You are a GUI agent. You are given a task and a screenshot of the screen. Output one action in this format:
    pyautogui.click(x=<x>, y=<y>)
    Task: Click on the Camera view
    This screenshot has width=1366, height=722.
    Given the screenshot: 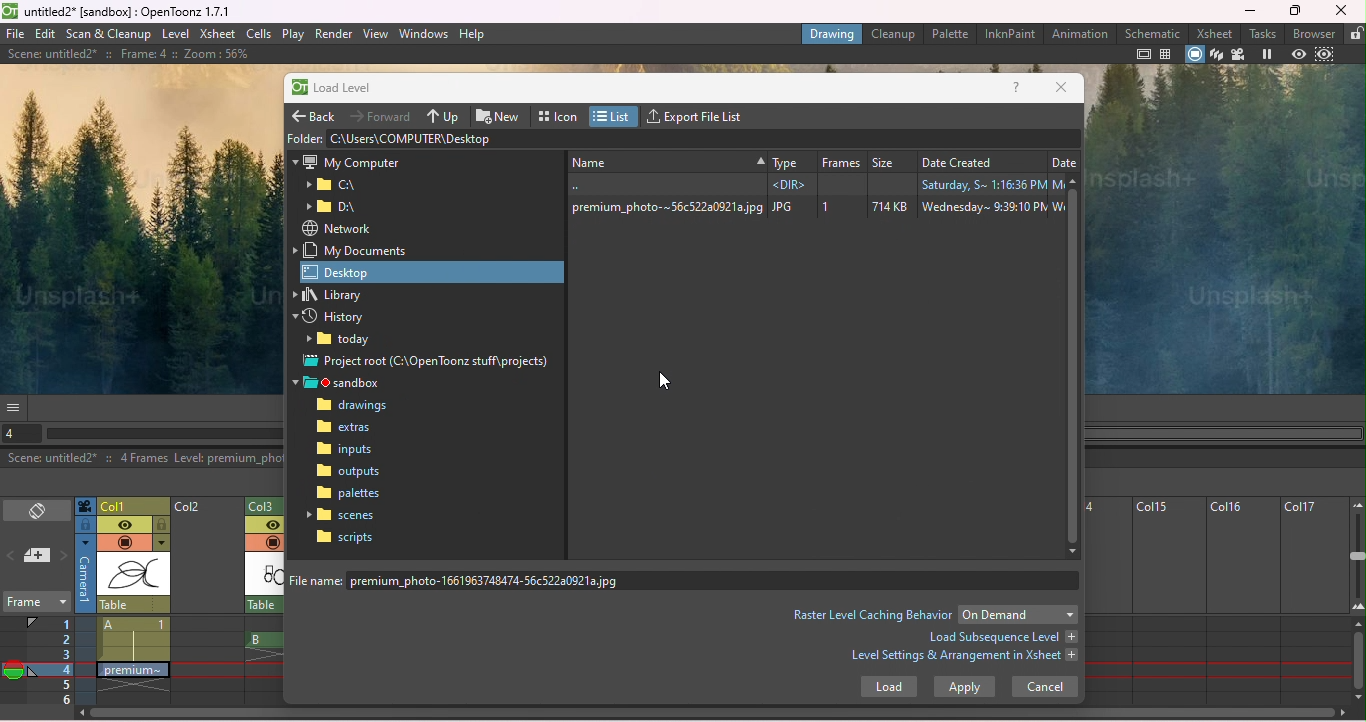 What is the action you would take?
    pyautogui.click(x=1238, y=55)
    